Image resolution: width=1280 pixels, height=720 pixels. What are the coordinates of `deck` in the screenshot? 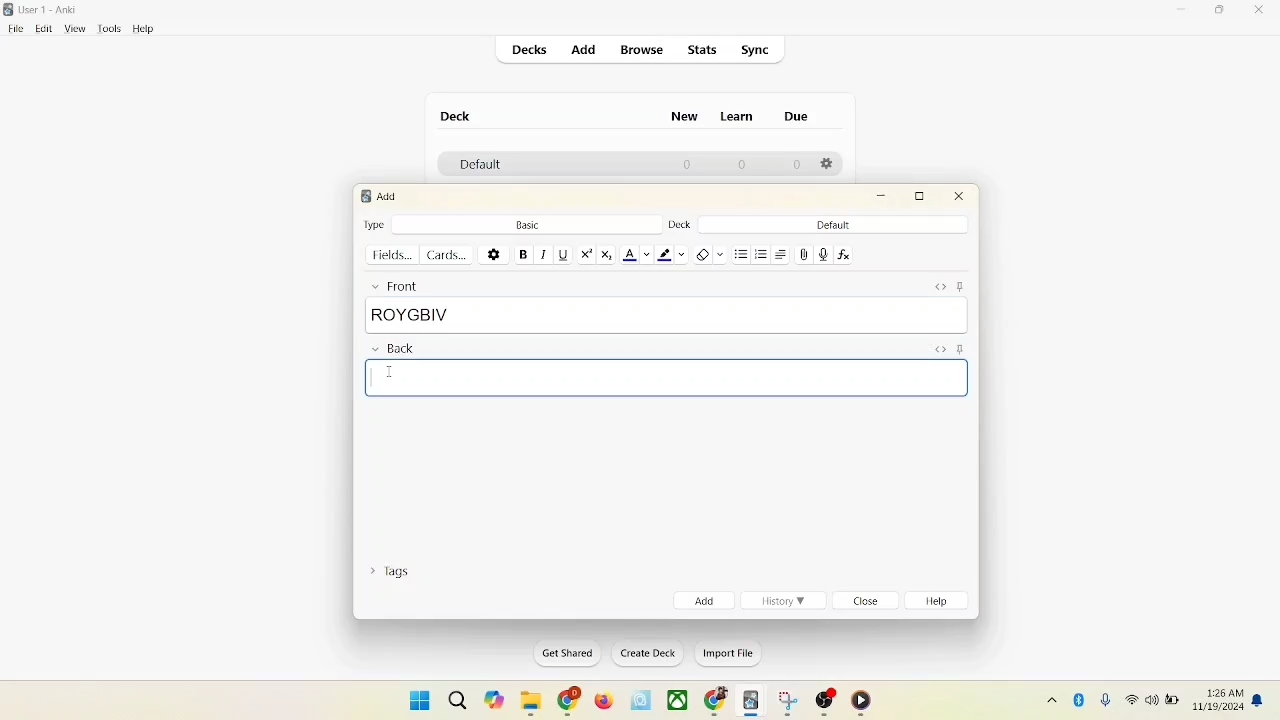 It's located at (678, 225).